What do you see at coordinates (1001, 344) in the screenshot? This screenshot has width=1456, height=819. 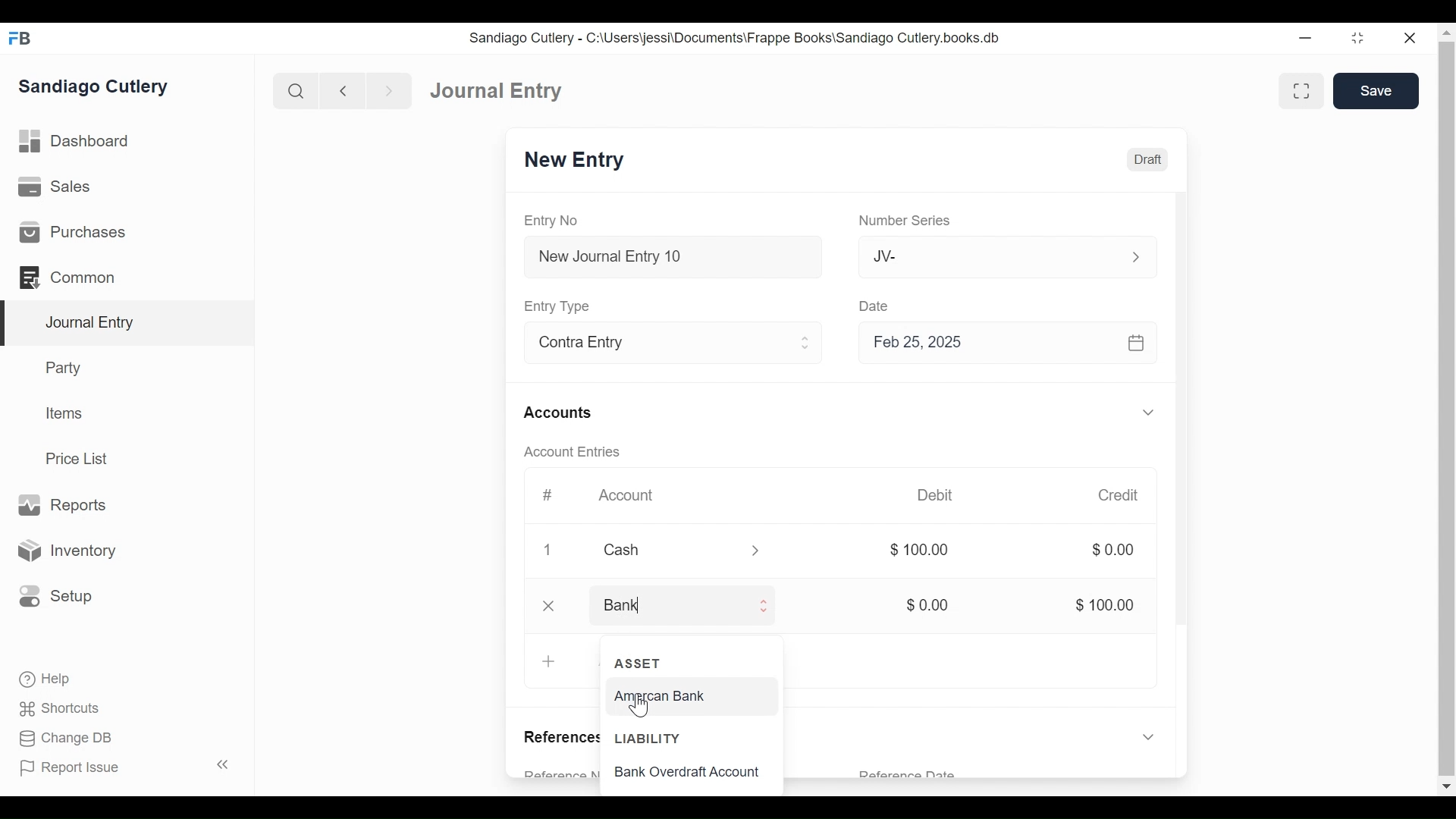 I see `Feb 25, 2025` at bounding box center [1001, 344].